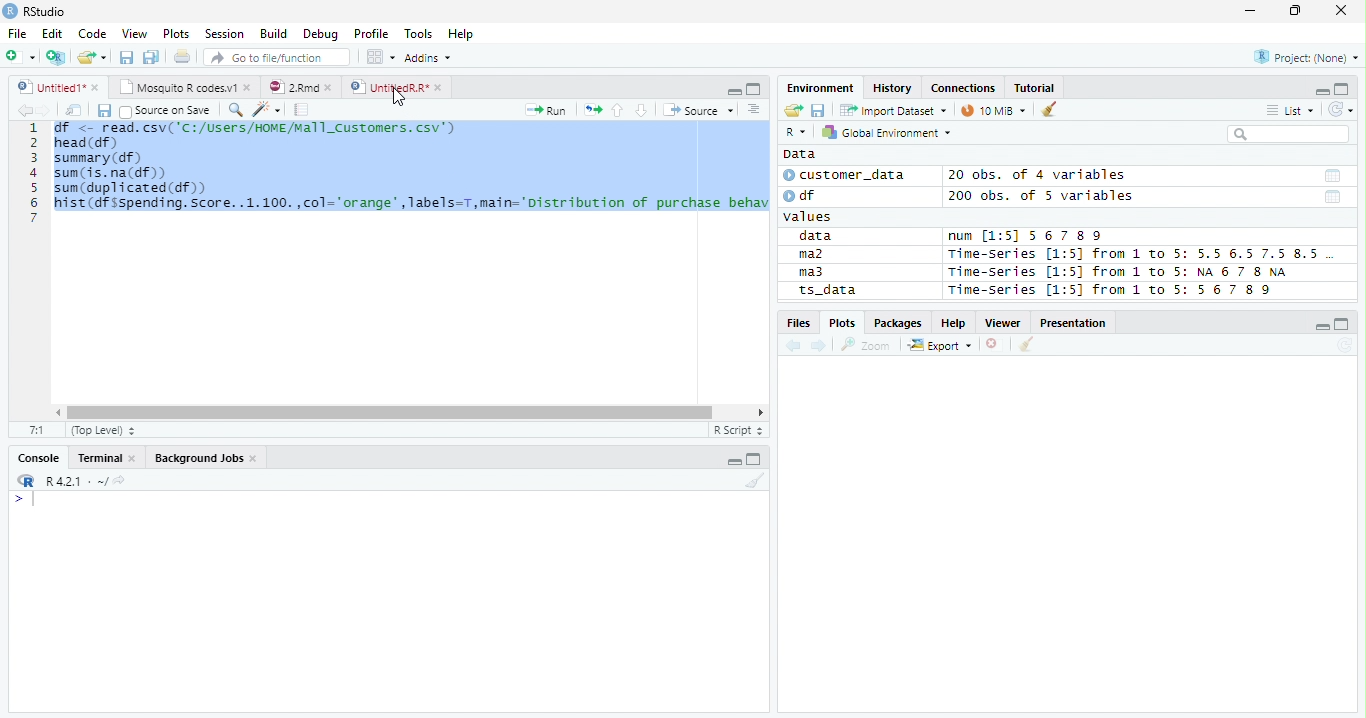  I want to click on History, so click(894, 89).